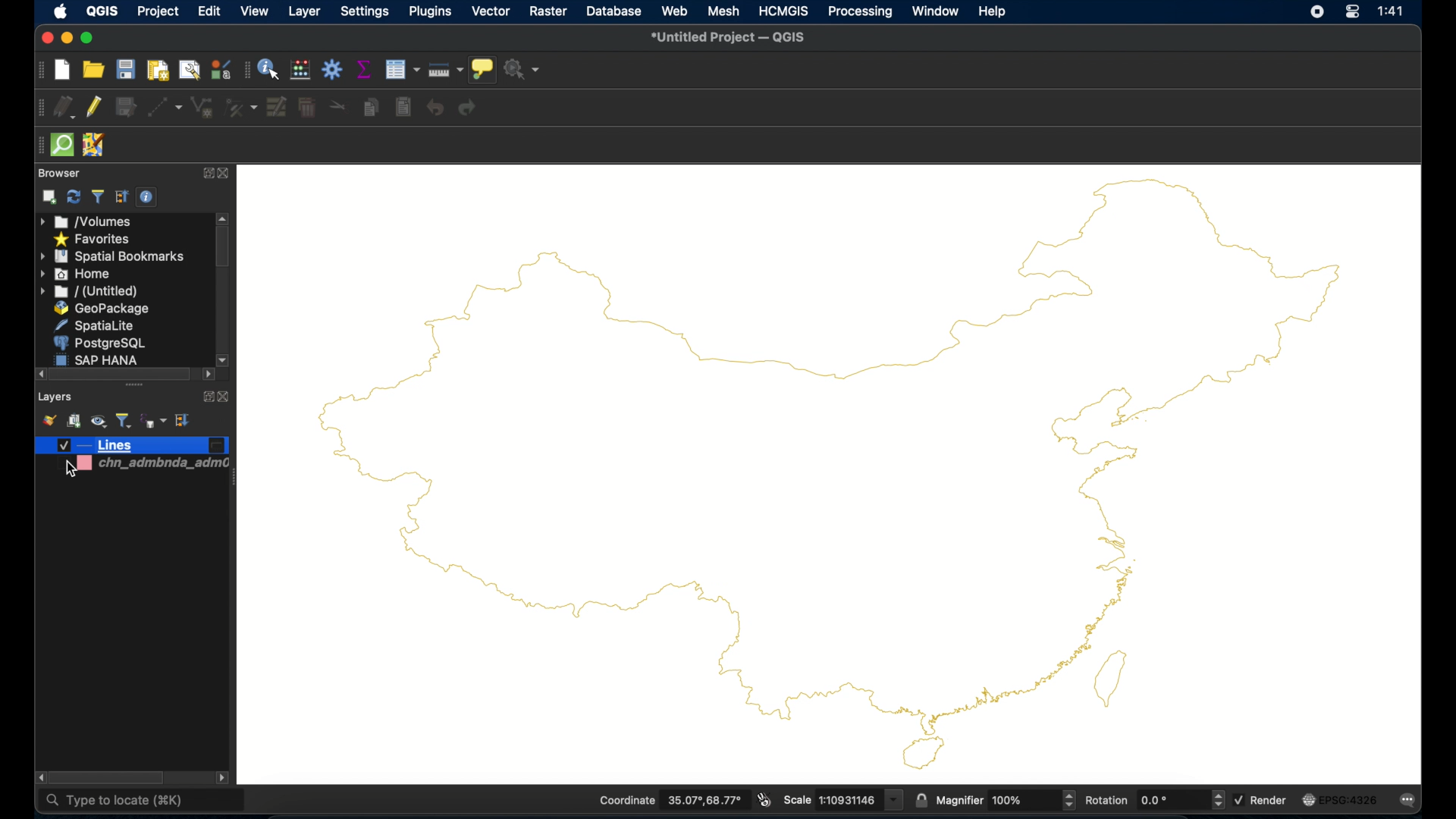 The image size is (1456, 819). I want to click on open project, so click(93, 70).